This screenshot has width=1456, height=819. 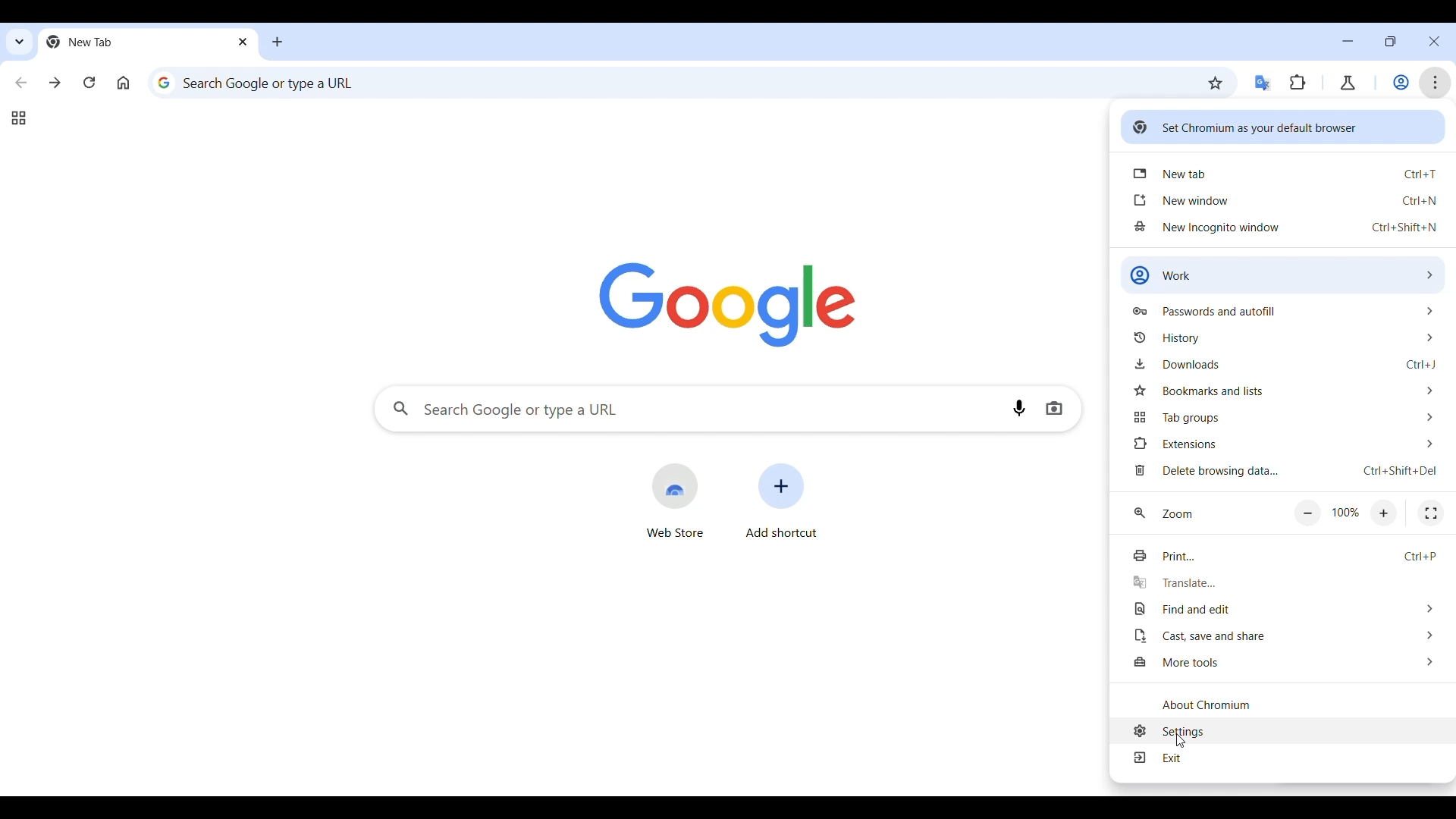 What do you see at coordinates (1431, 513) in the screenshot?
I see `Fullscreen` at bounding box center [1431, 513].